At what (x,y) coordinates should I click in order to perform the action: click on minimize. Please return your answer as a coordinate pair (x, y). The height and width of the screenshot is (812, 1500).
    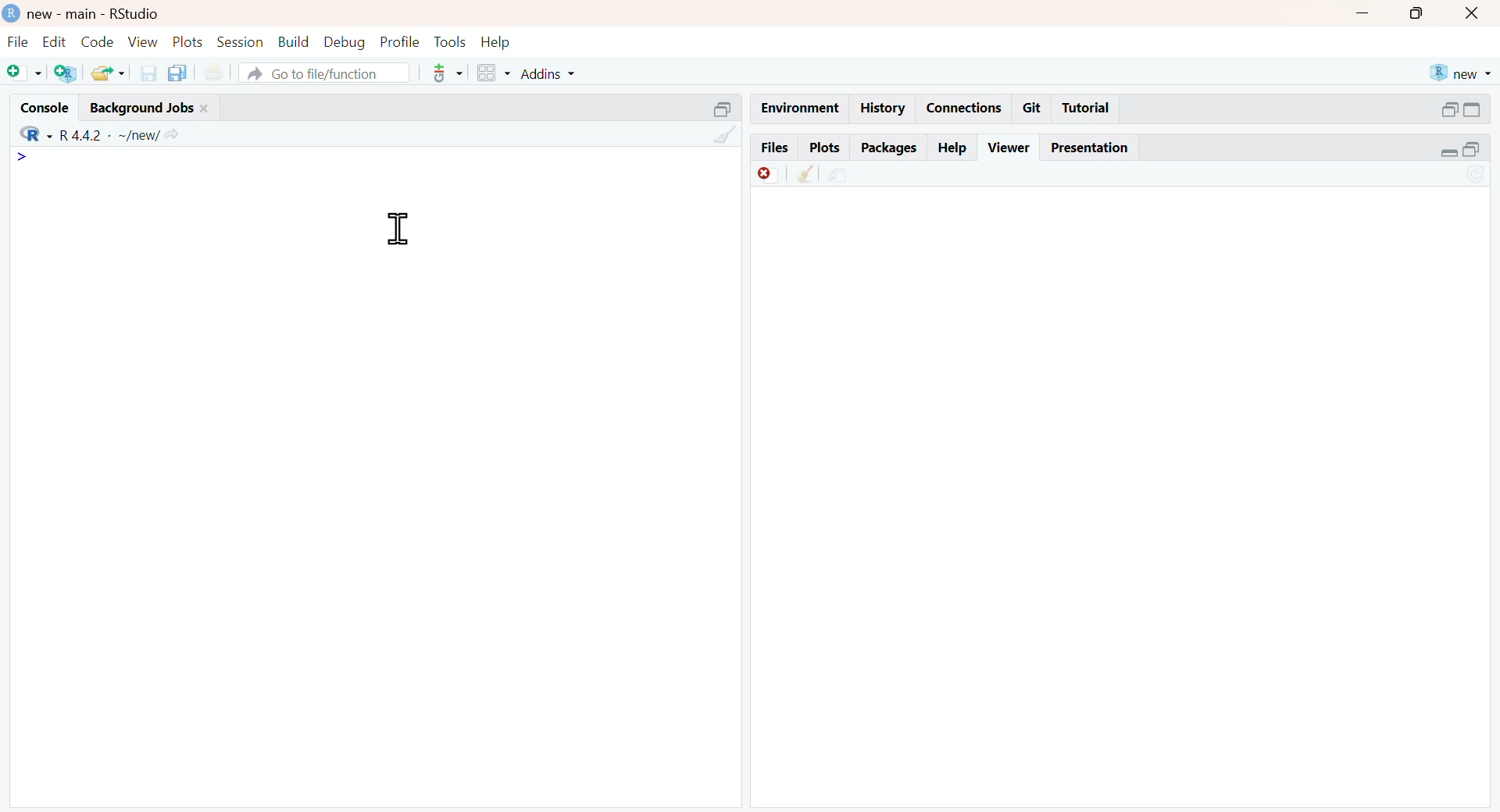
    Looking at the image, I should click on (1365, 13).